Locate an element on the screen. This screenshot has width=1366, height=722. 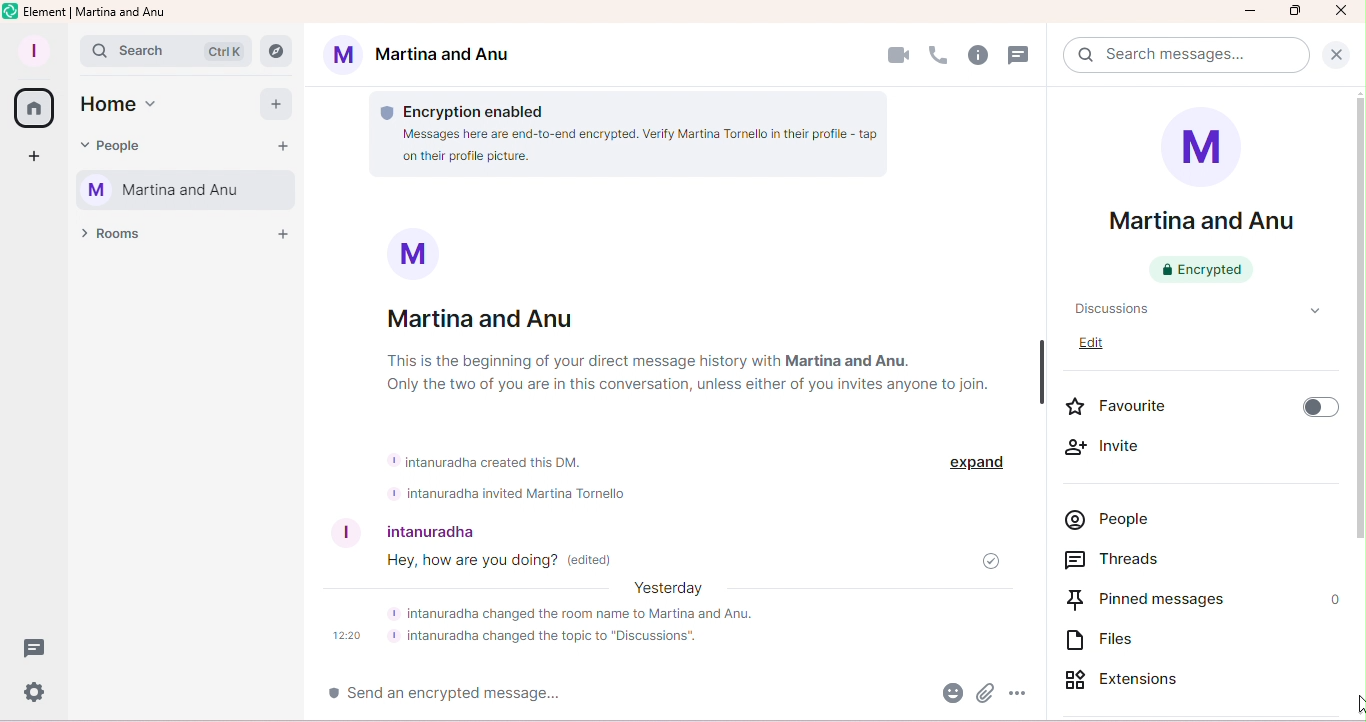
Video call is located at coordinates (1216, 59).